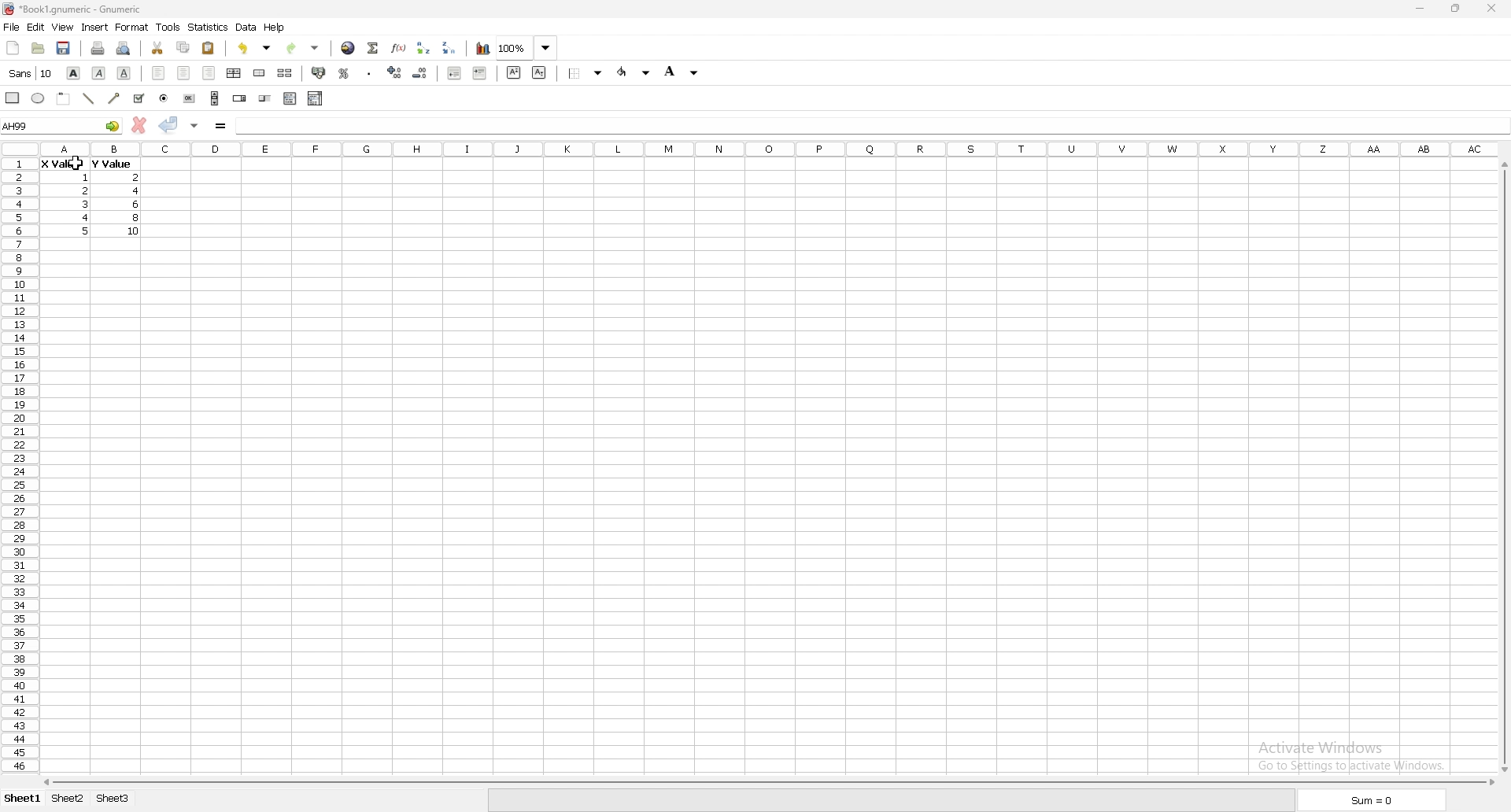 Image resolution: width=1511 pixels, height=812 pixels. I want to click on data, so click(246, 27).